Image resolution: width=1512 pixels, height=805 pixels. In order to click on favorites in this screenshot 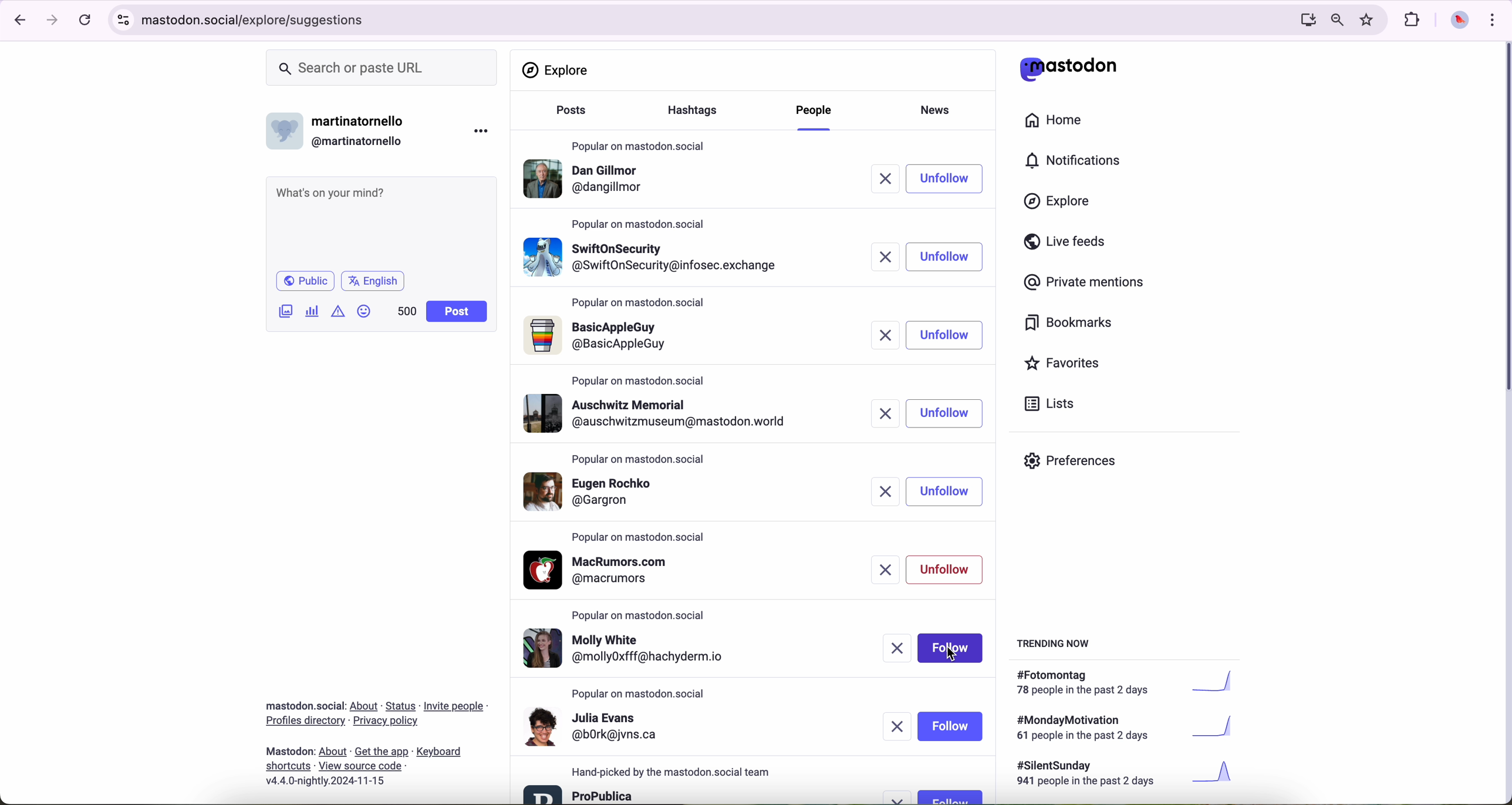, I will do `click(1369, 20)`.